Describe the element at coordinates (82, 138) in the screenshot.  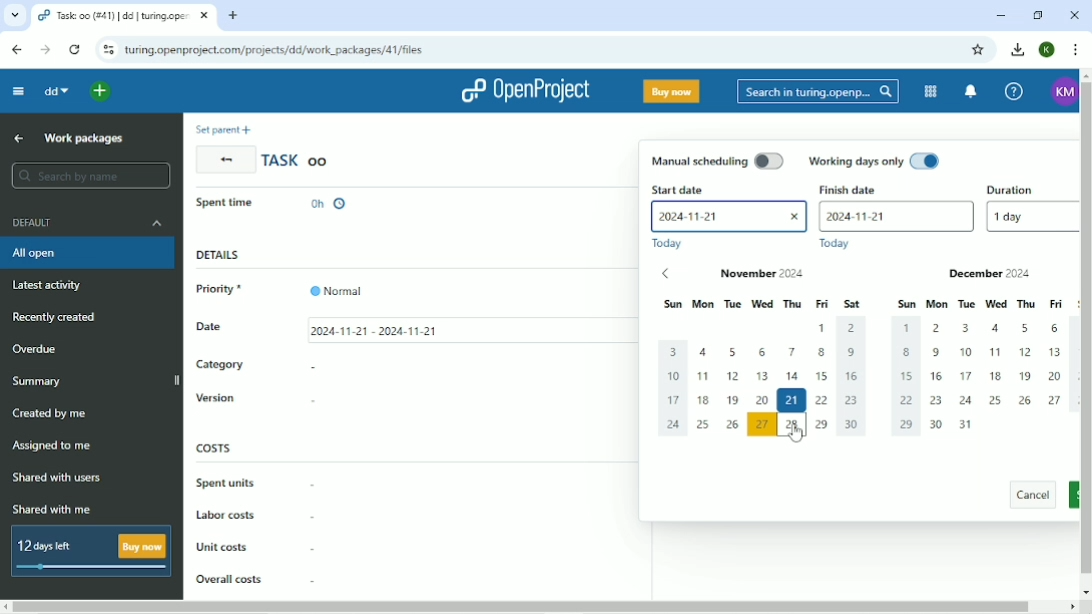
I see `Work packages` at that location.